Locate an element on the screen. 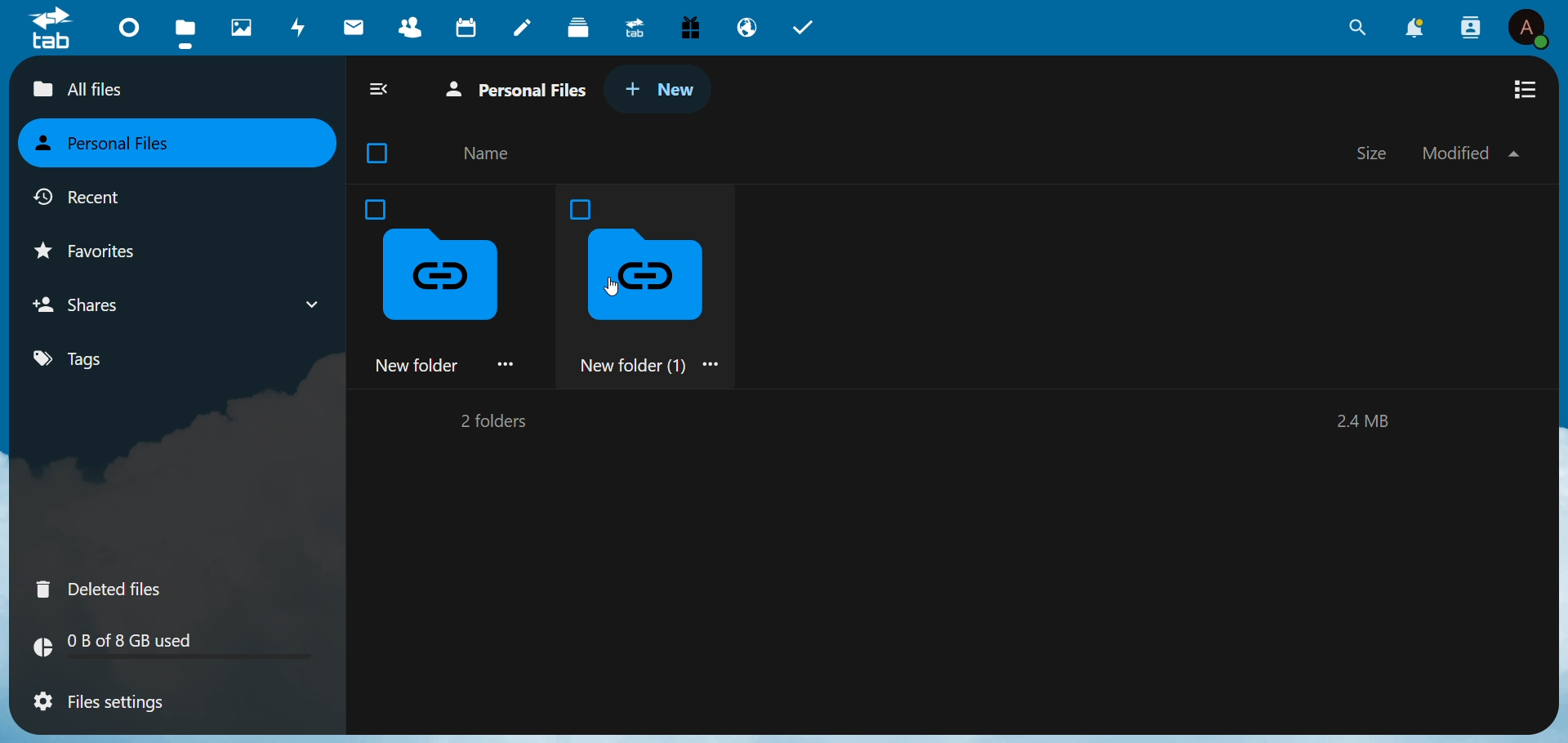 The image size is (1568, 743). file setting is located at coordinates (102, 704).